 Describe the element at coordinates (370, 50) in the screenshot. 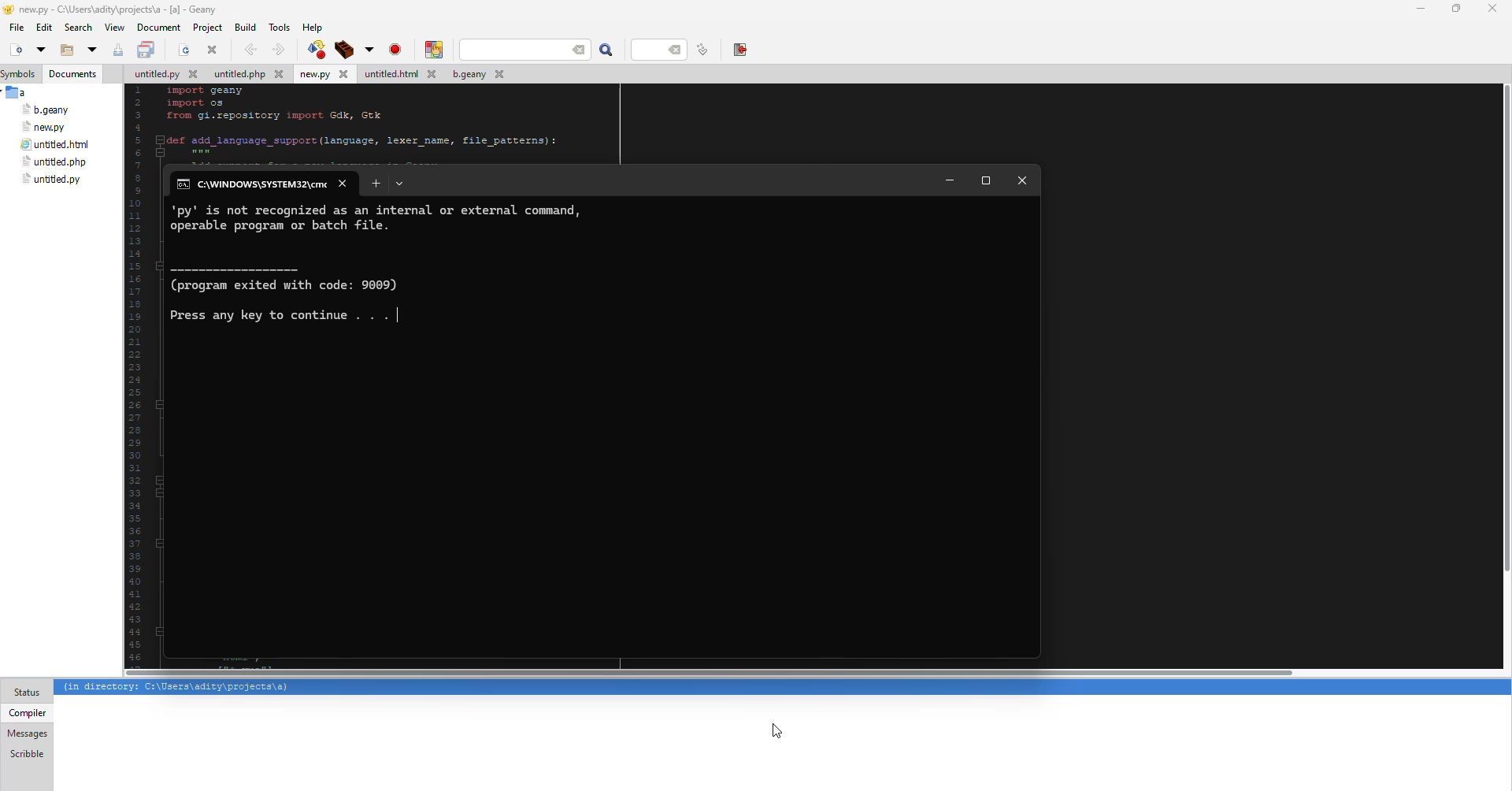

I see `build tool` at that location.